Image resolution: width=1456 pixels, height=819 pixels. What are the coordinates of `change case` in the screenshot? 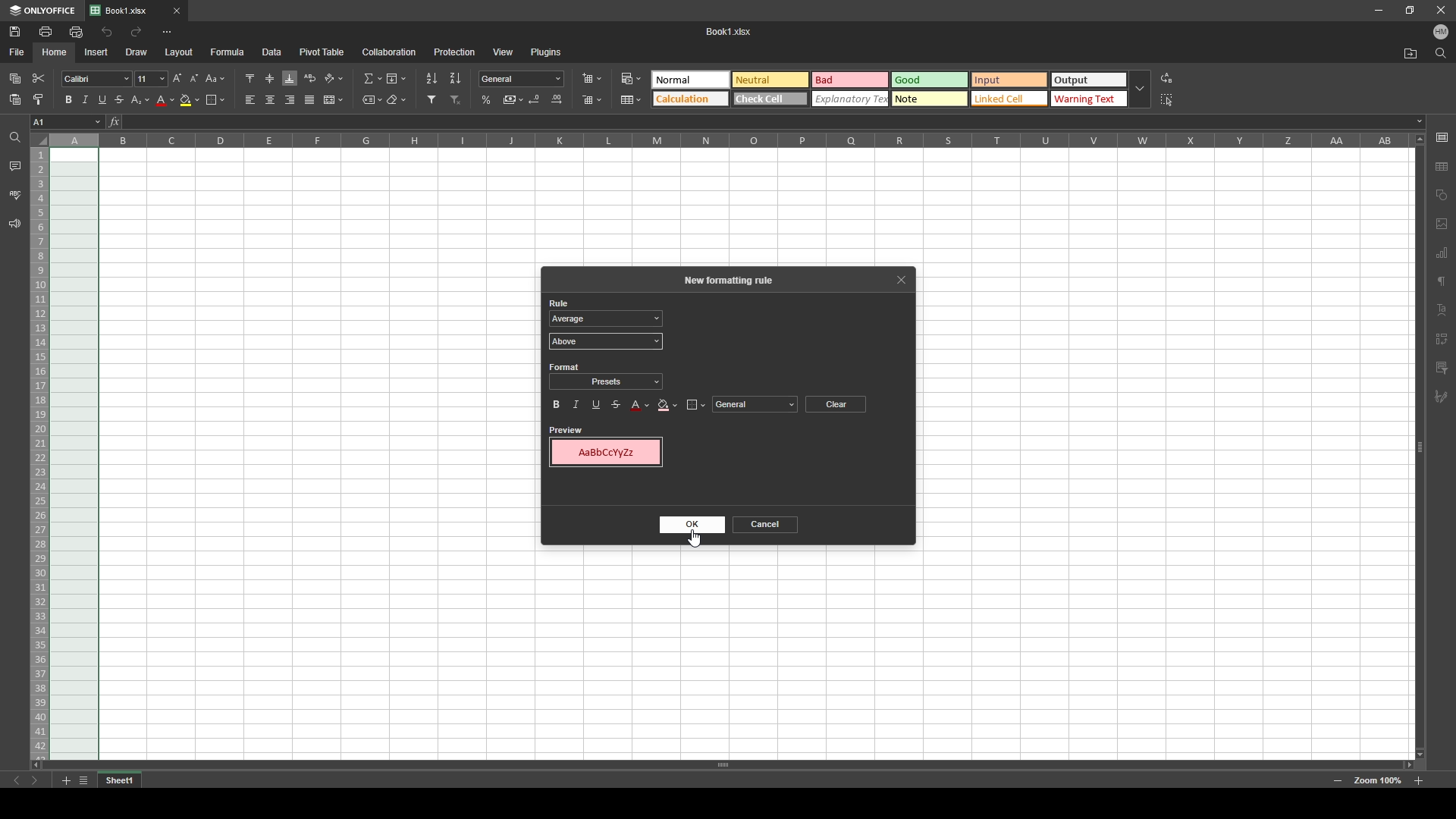 It's located at (216, 78).